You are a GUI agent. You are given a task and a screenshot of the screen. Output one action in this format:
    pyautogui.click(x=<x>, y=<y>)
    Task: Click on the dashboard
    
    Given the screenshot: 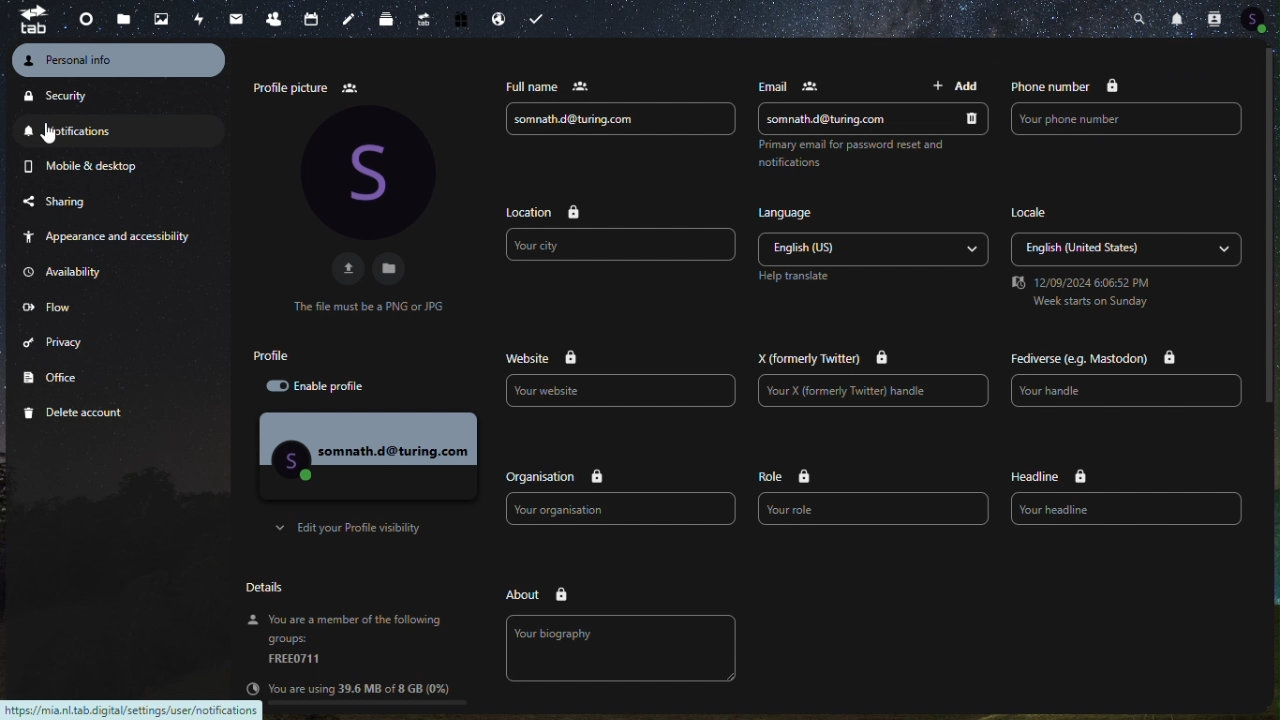 What is the action you would take?
    pyautogui.click(x=85, y=22)
    